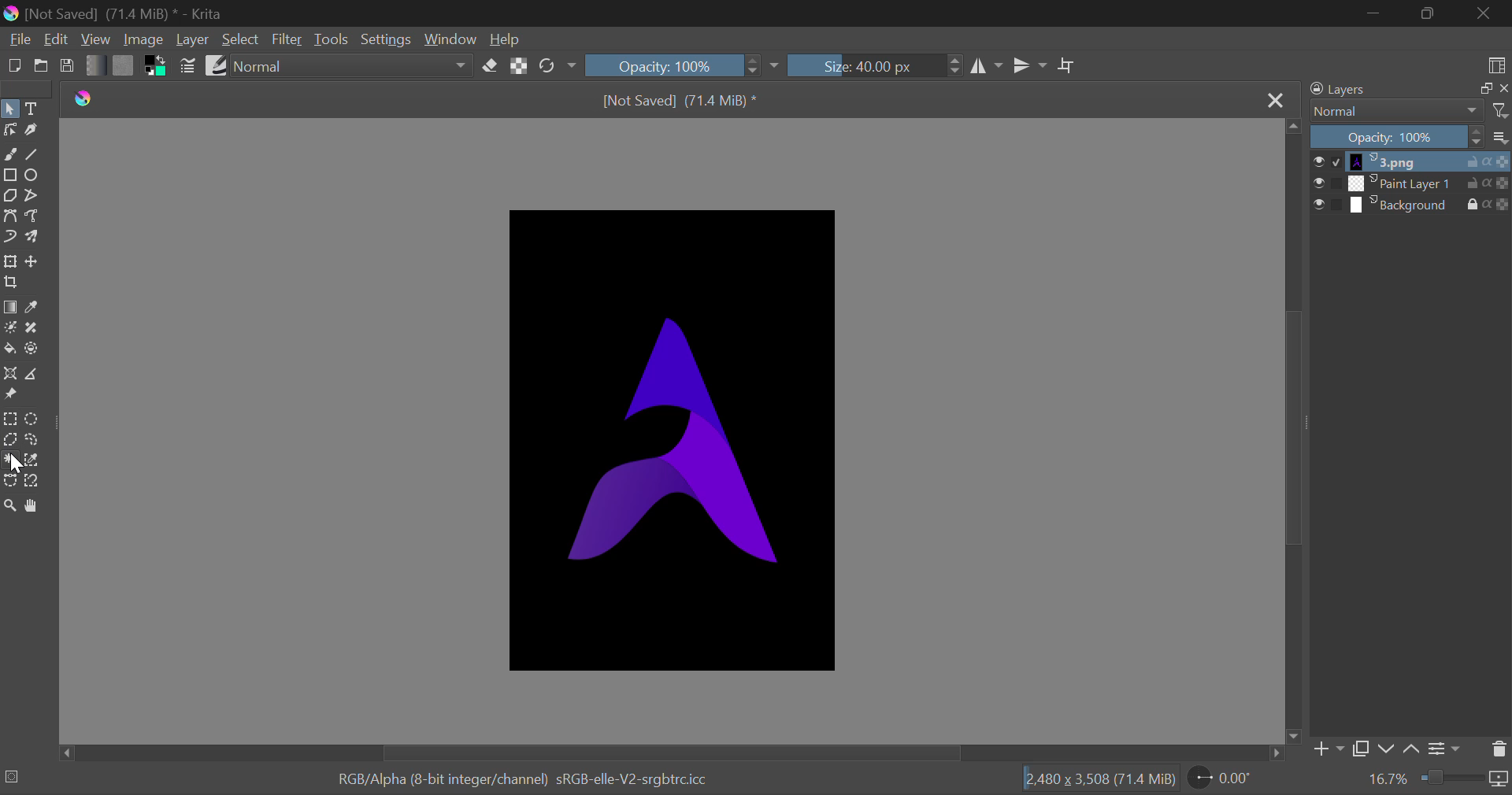  I want to click on Tools, so click(334, 39).